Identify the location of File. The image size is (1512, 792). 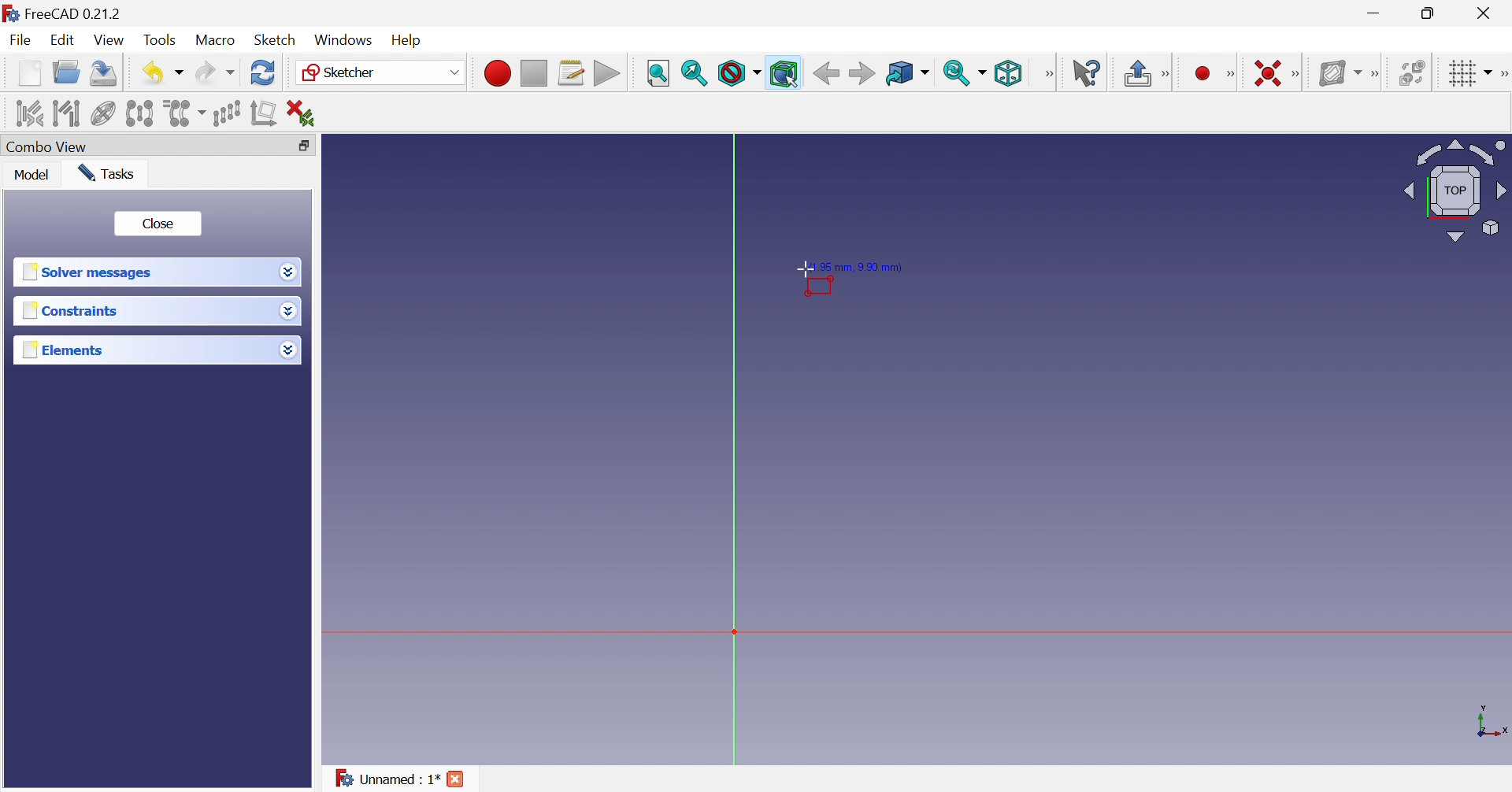
(22, 41).